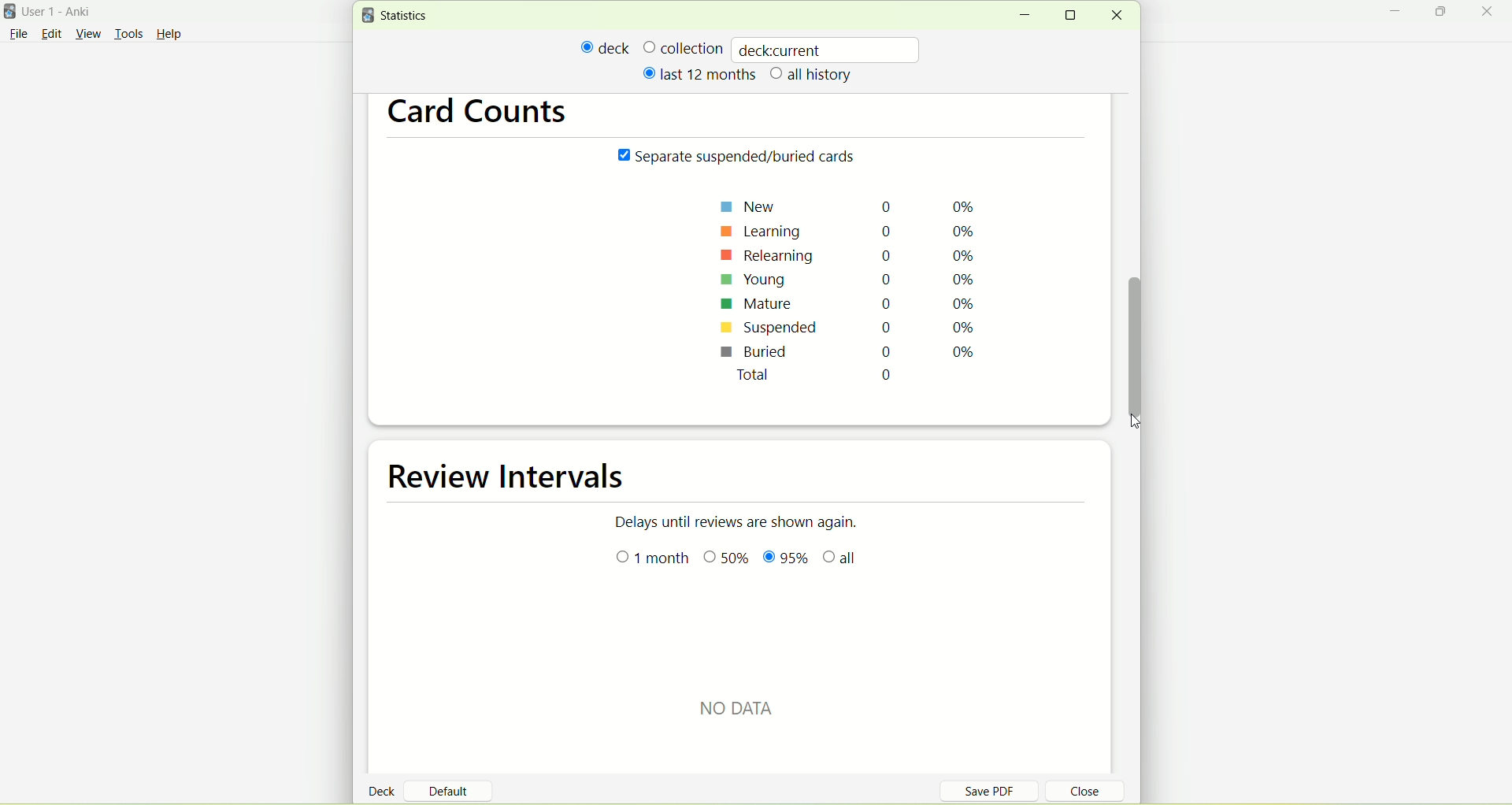 The width and height of the screenshot is (1512, 805). Describe the element at coordinates (850, 280) in the screenshot. I see `young 0 0%` at that location.